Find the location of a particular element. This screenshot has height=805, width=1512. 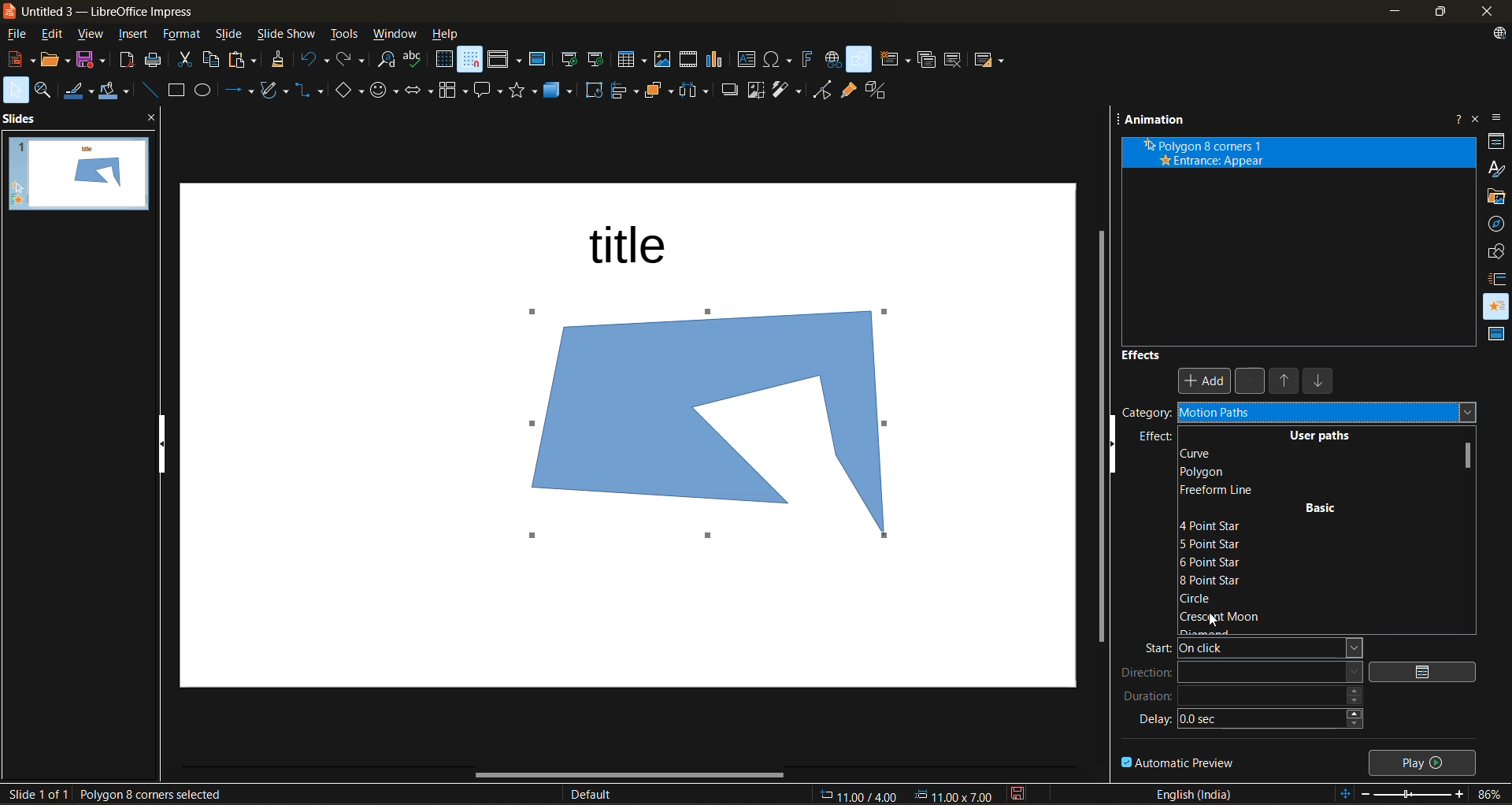

spelling is located at coordinates (415, 59).